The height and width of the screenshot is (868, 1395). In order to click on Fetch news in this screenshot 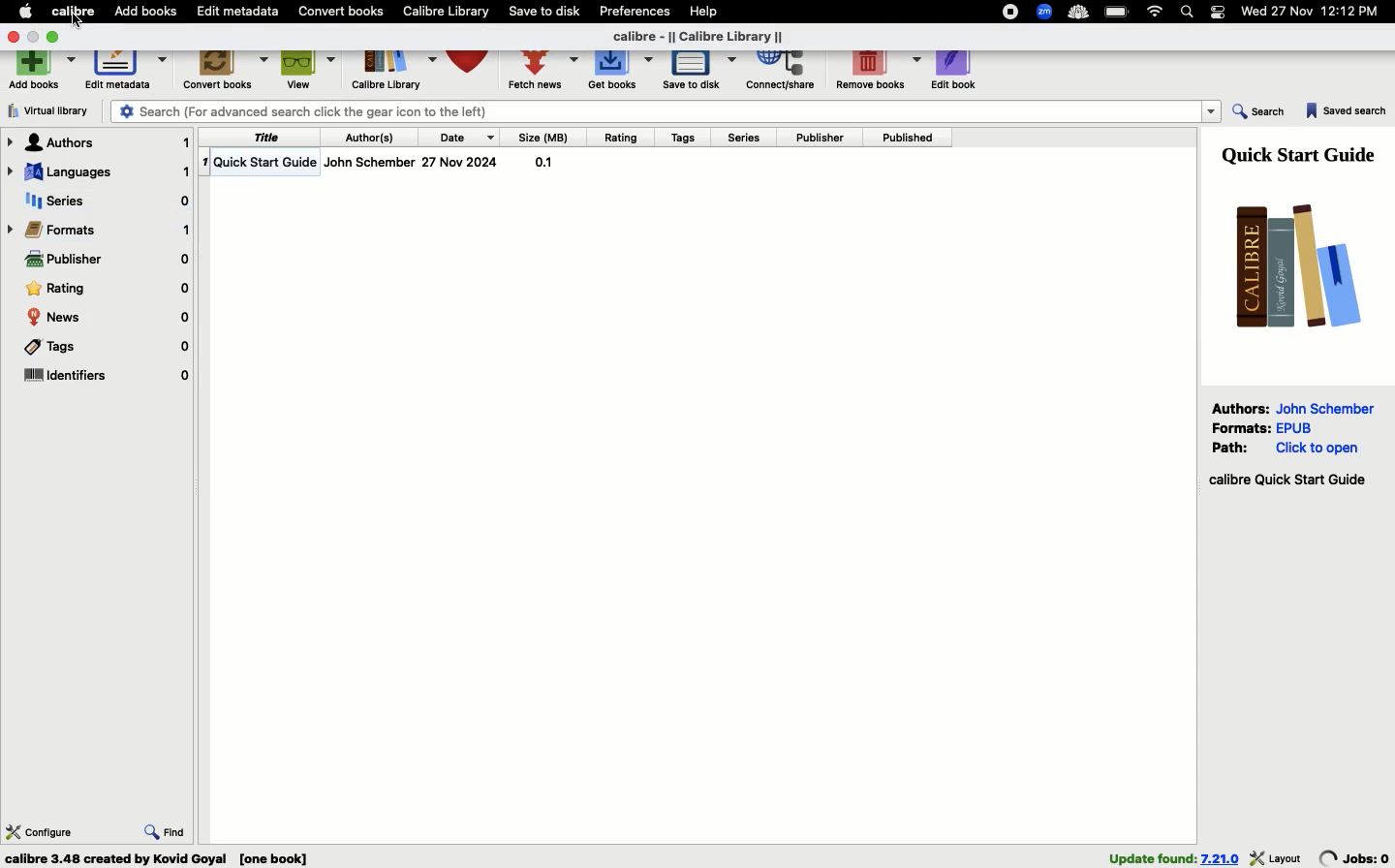, I will do `click(544, 74)`.